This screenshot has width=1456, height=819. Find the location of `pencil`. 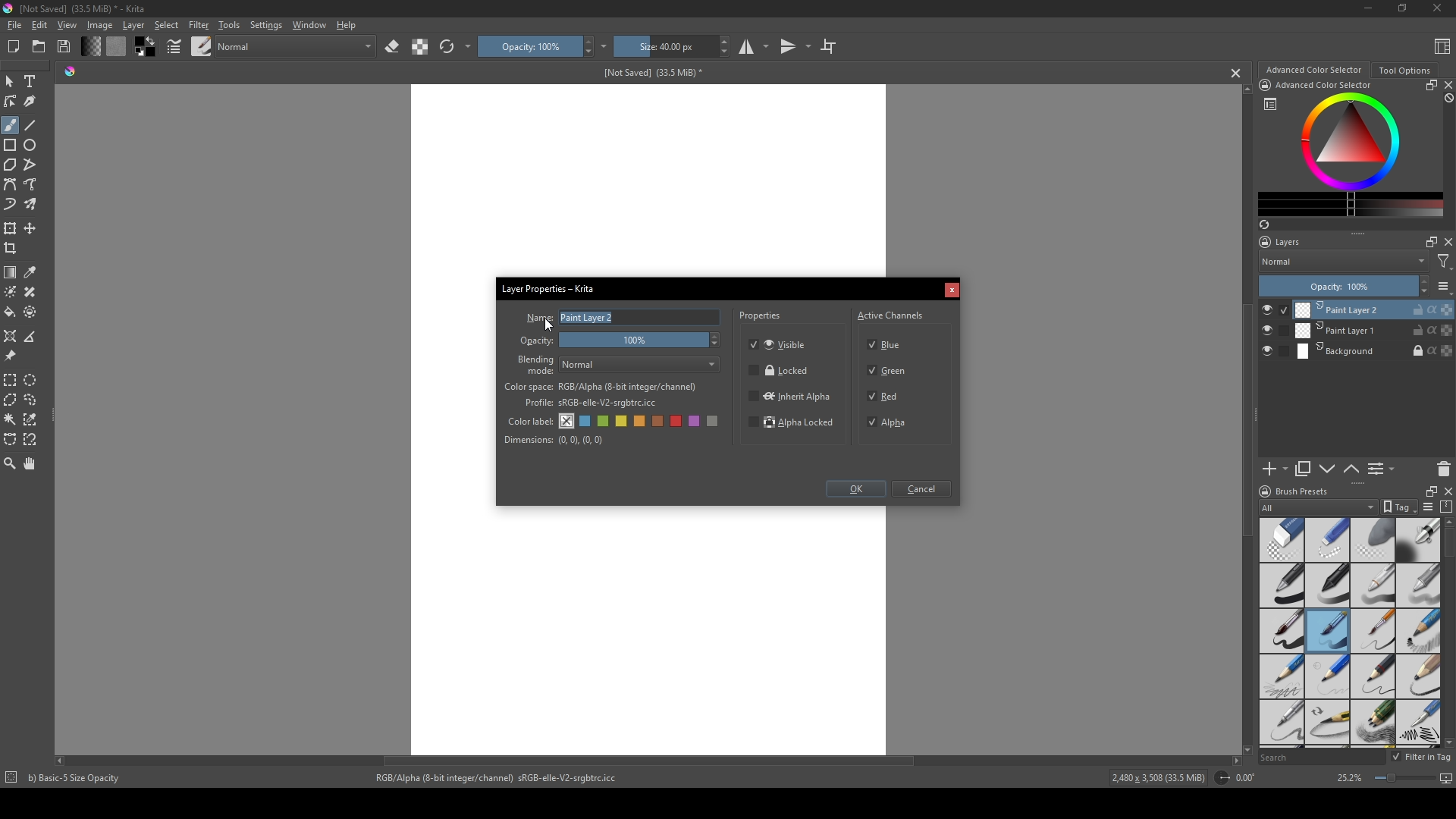

pencil is located at coordinates (1373, 676).